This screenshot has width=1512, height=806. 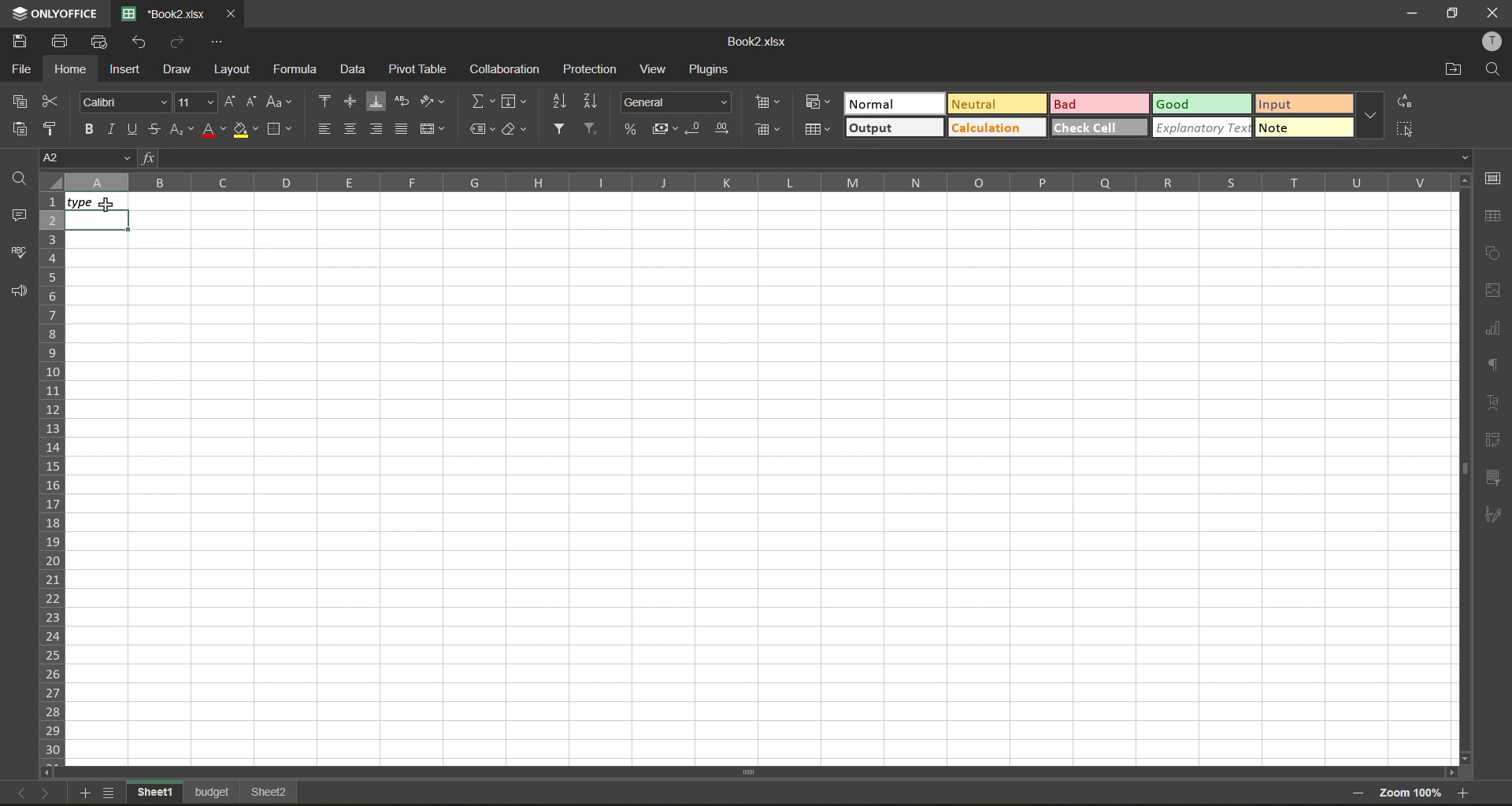 I want to click on file, so click(x=24, y=67).